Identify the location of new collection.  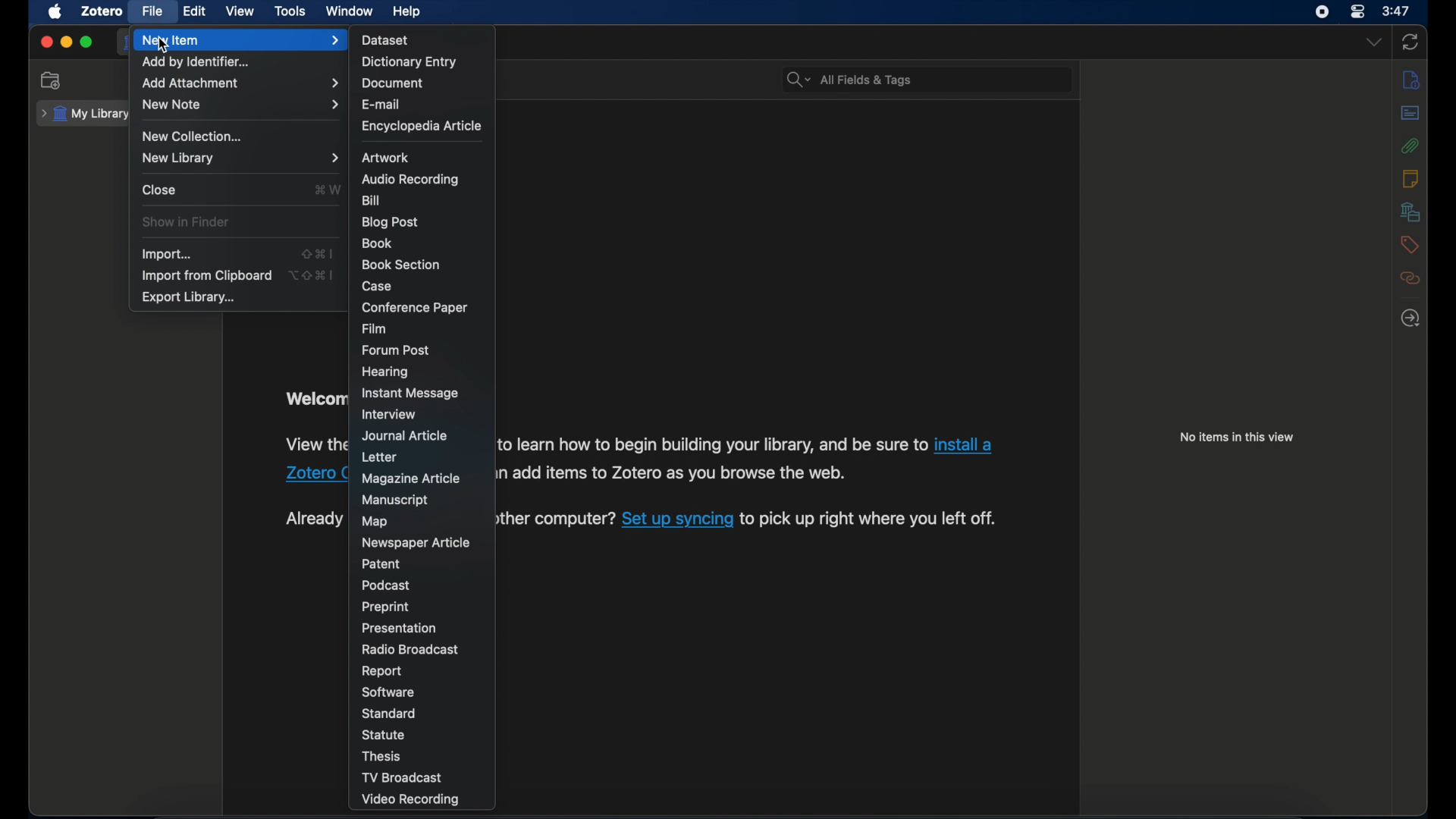
(195, 137).